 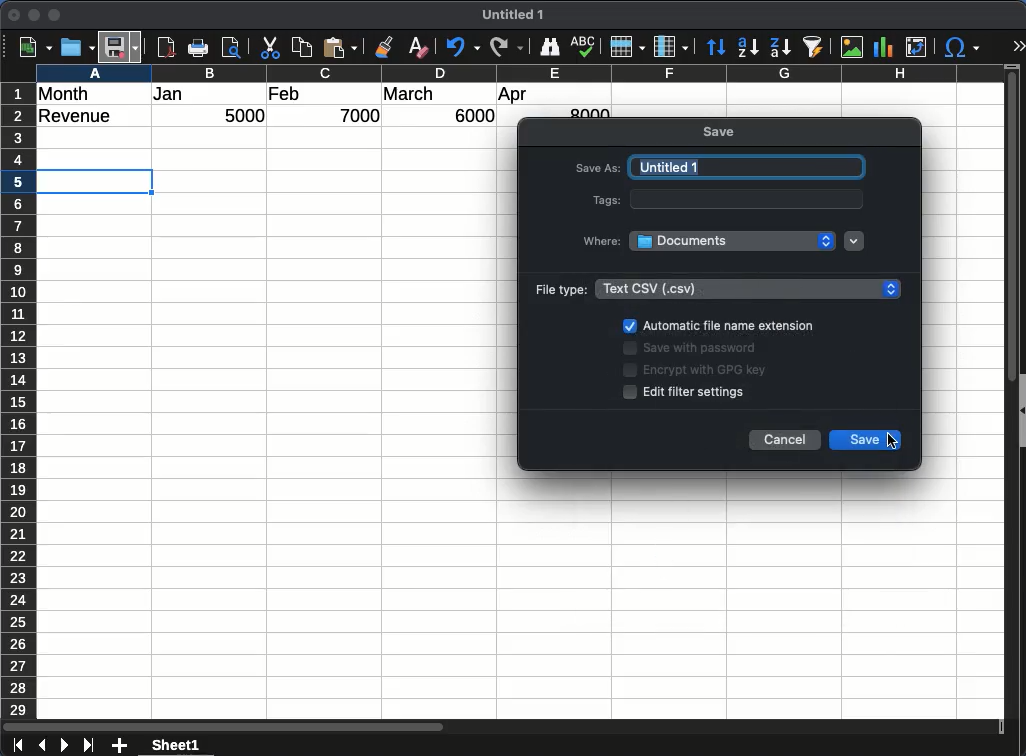 I want to click on month, so click(x=68, y=93).